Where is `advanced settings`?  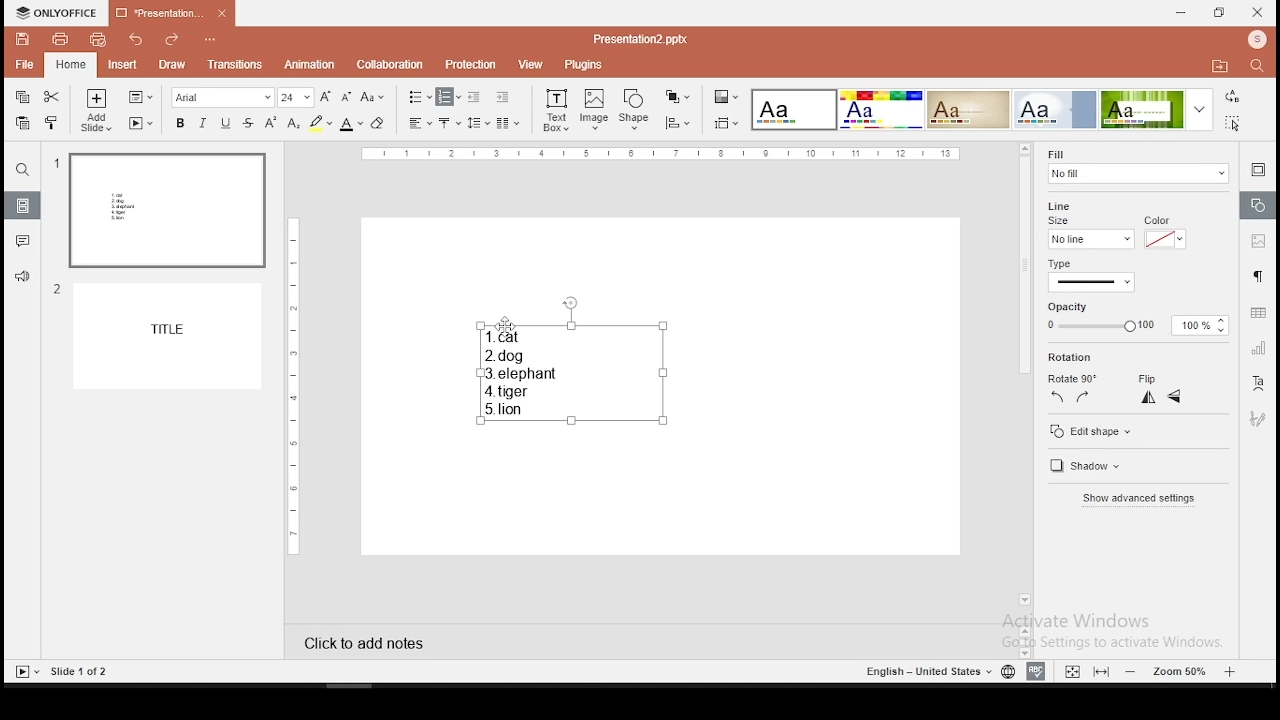 advanced settings is located at coordinates (1144, 499).